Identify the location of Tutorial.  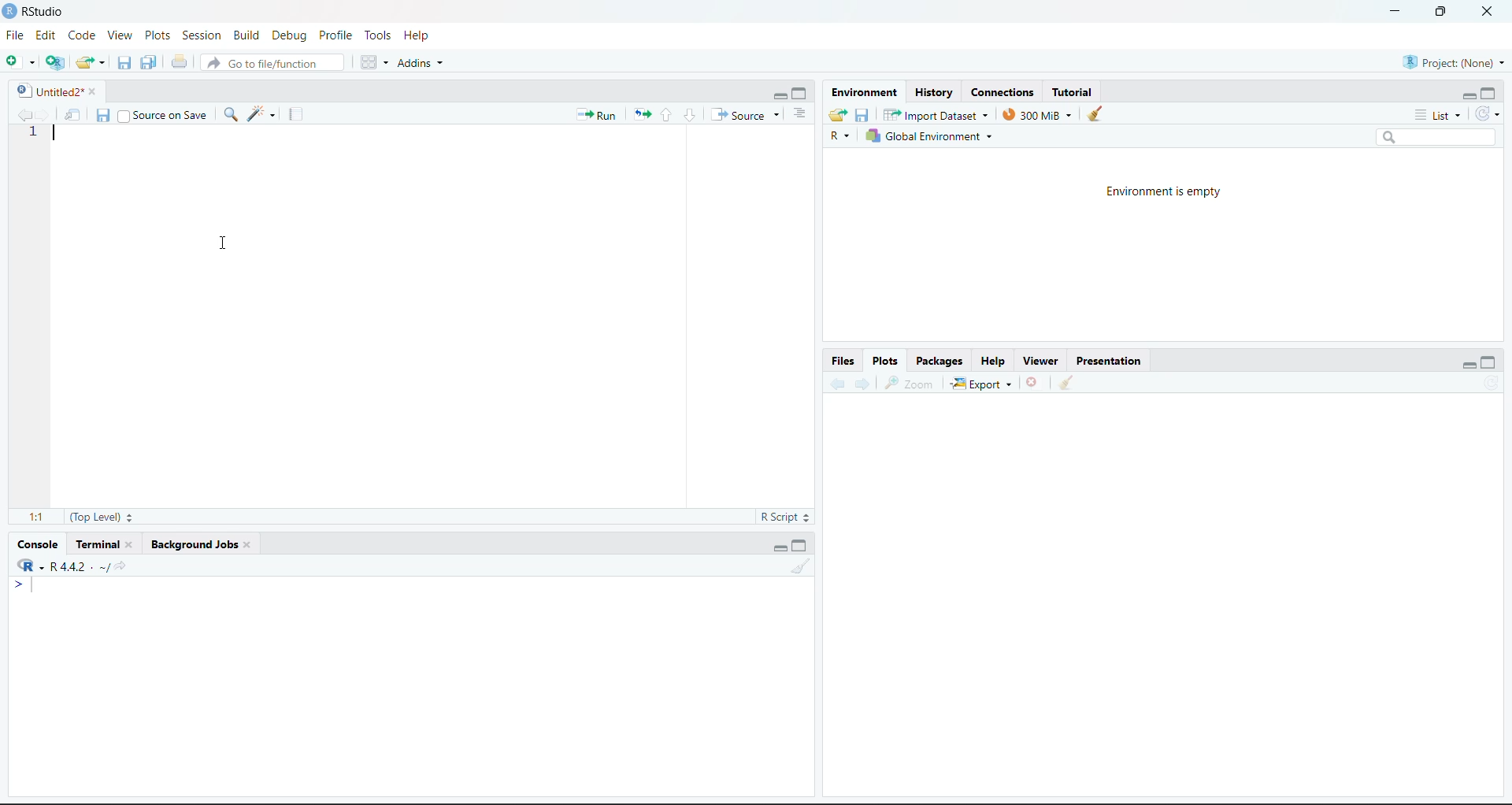
(1077, 91).